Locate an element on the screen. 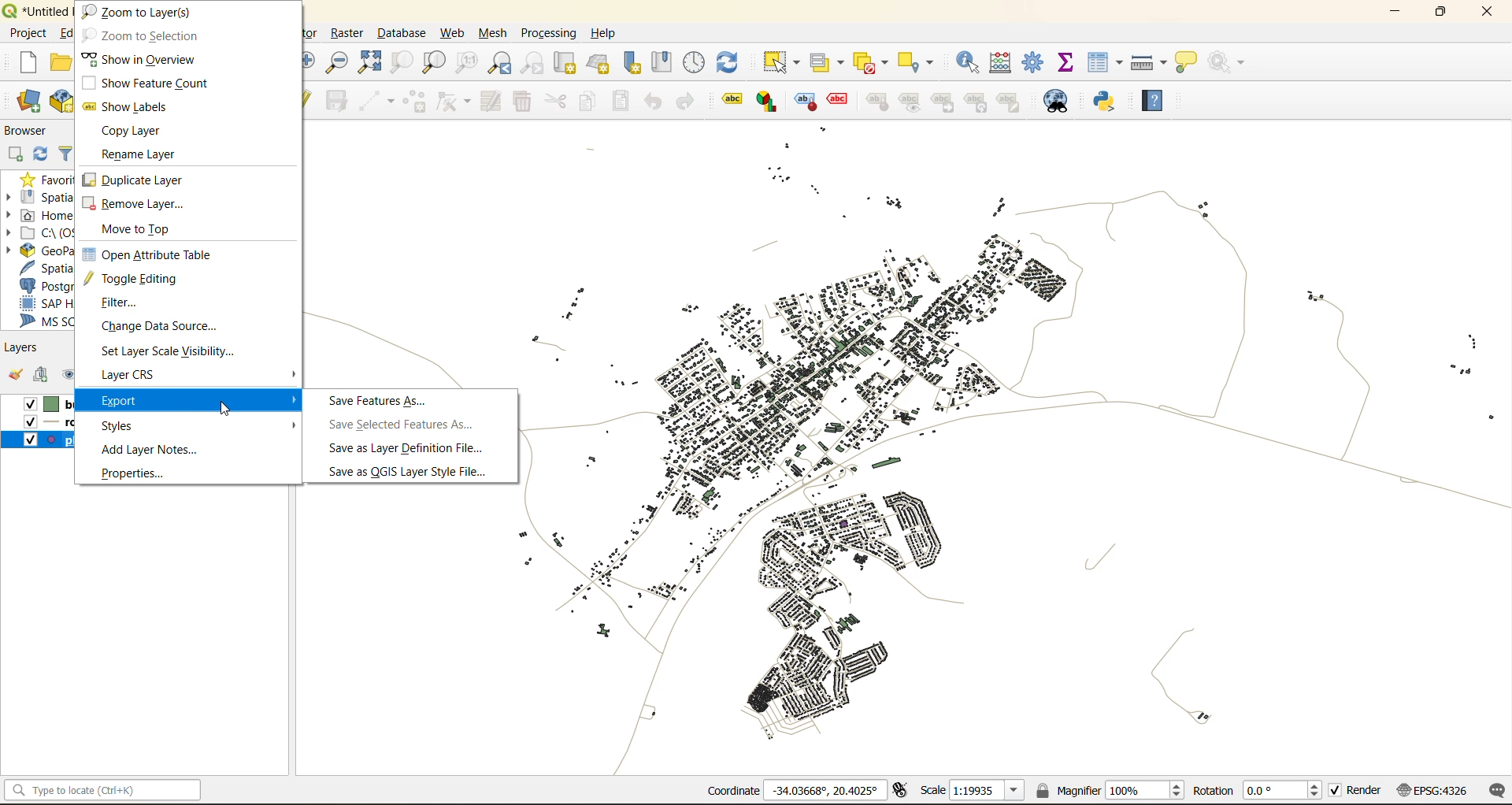  export is located at coordinates (197, 398).